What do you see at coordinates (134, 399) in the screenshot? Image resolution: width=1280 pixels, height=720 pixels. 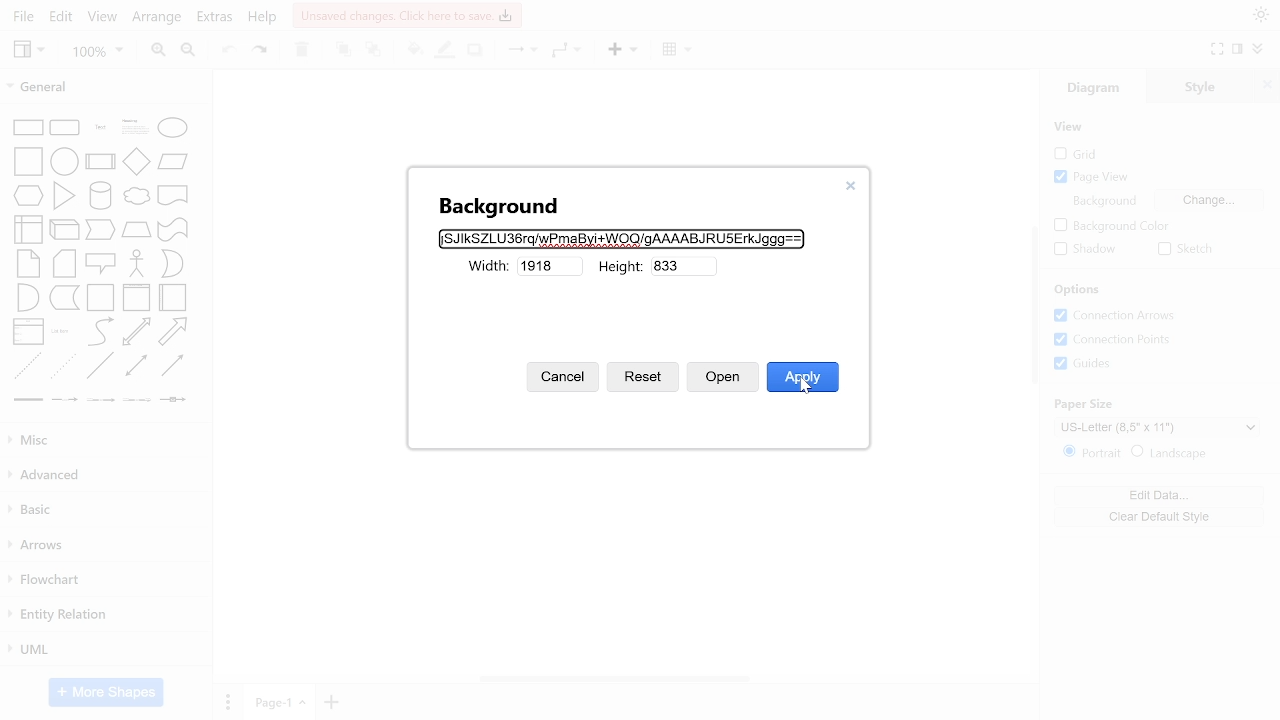 I see `general shapes` at bounding box center [134, 399].